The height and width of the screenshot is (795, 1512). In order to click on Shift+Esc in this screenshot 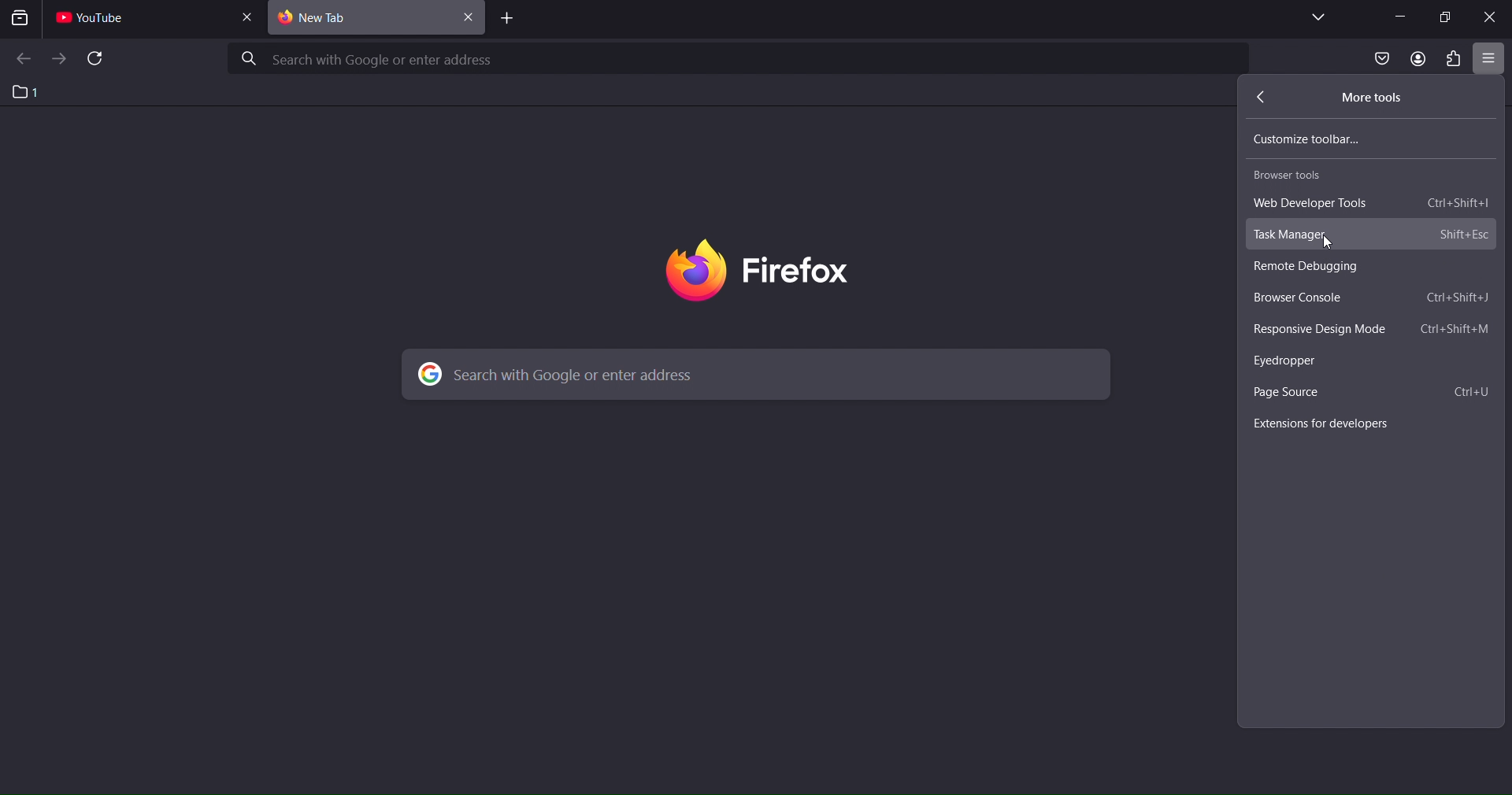, I will do `click(1462, 237)`.